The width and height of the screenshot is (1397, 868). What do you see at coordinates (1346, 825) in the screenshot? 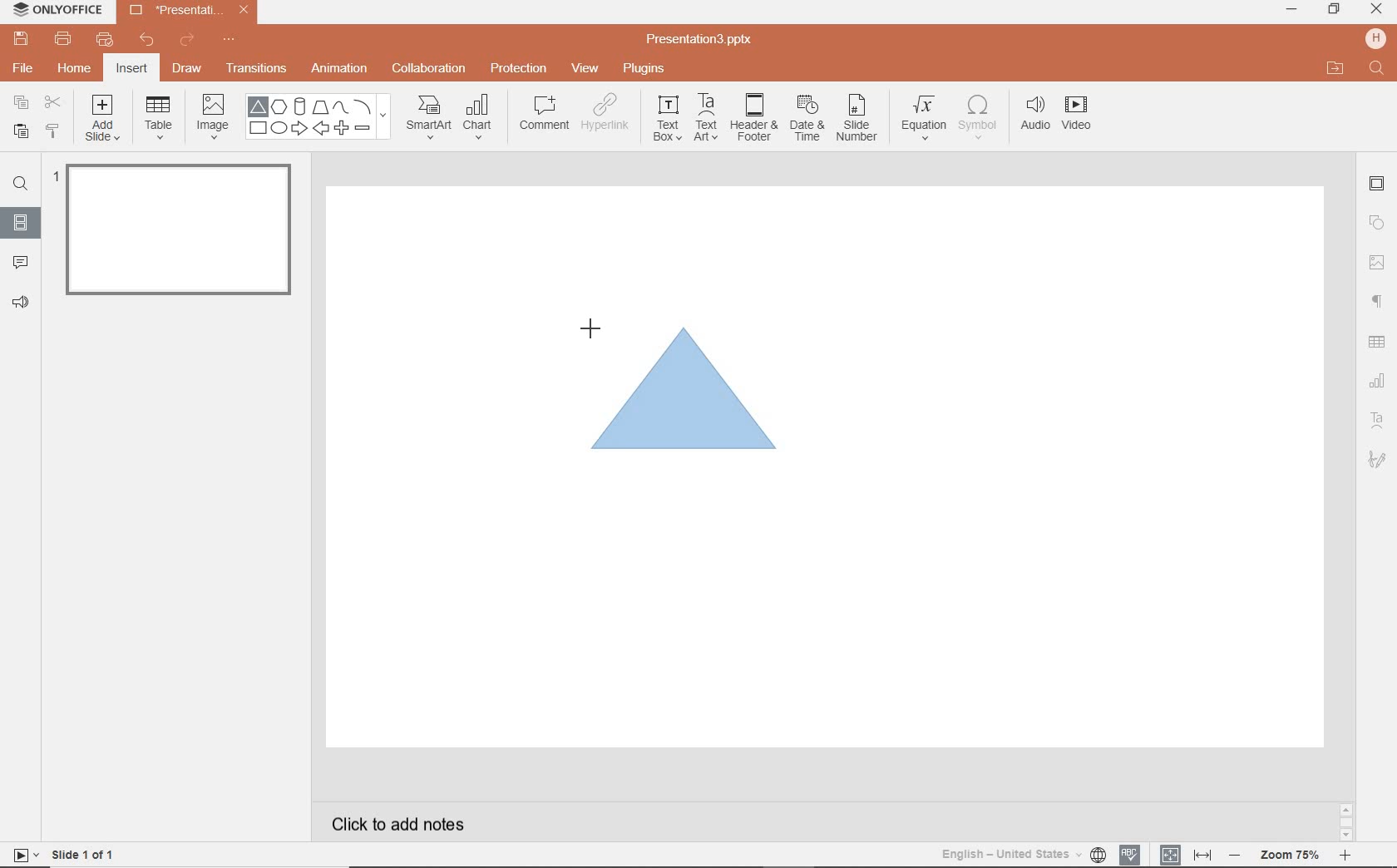
I see `SCROLLBAR` at bounding box center [1346, 825].